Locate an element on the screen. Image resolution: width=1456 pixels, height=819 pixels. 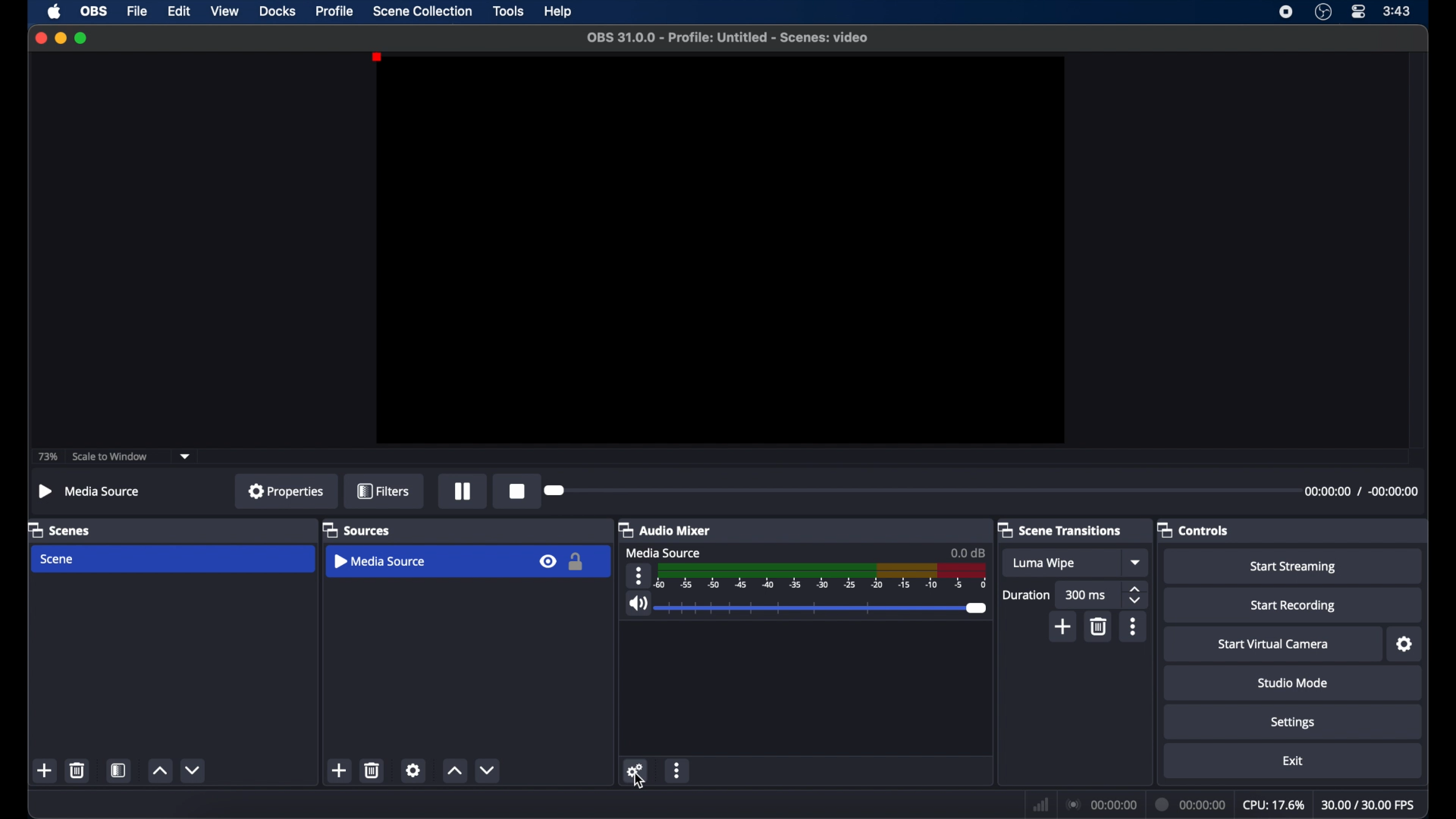
00:00:00 is located at coordinates (1191, 805).